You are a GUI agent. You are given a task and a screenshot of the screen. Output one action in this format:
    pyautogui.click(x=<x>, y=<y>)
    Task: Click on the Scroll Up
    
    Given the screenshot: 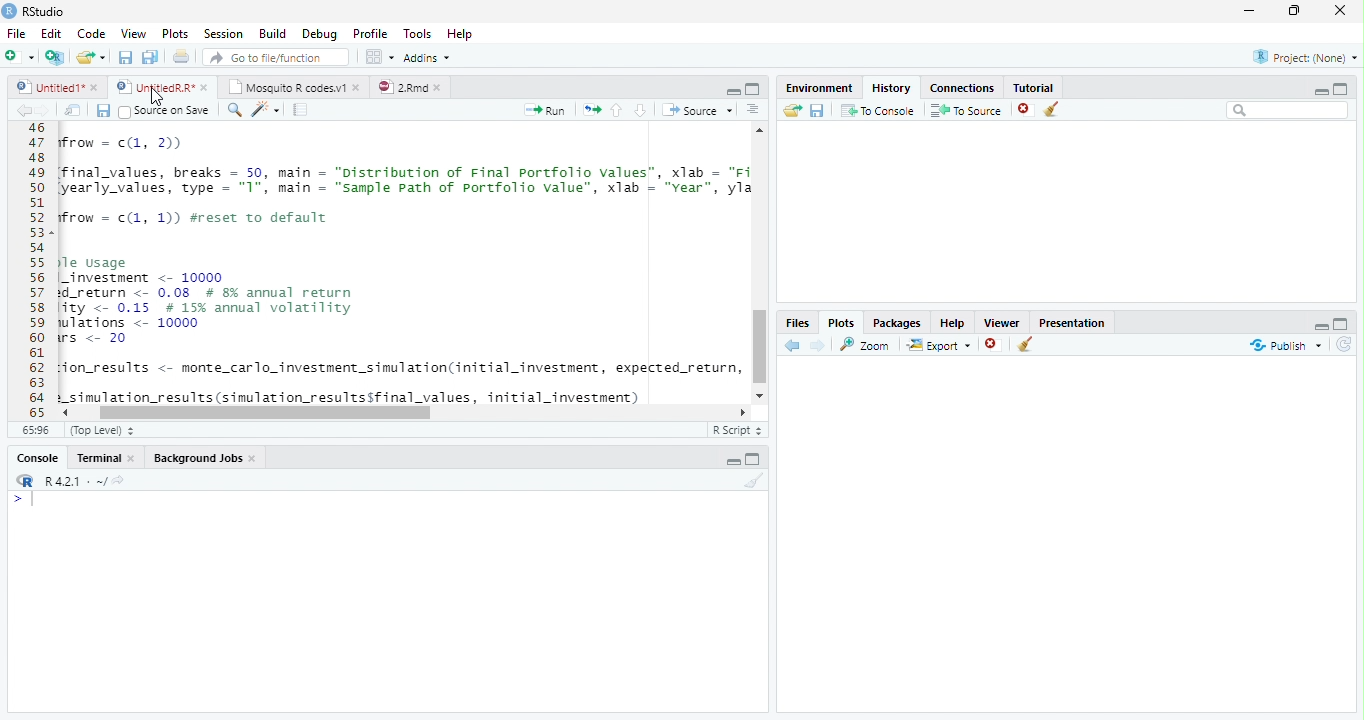 What is the action you would take?
    pyautogui.click(x=760, y=132)
    